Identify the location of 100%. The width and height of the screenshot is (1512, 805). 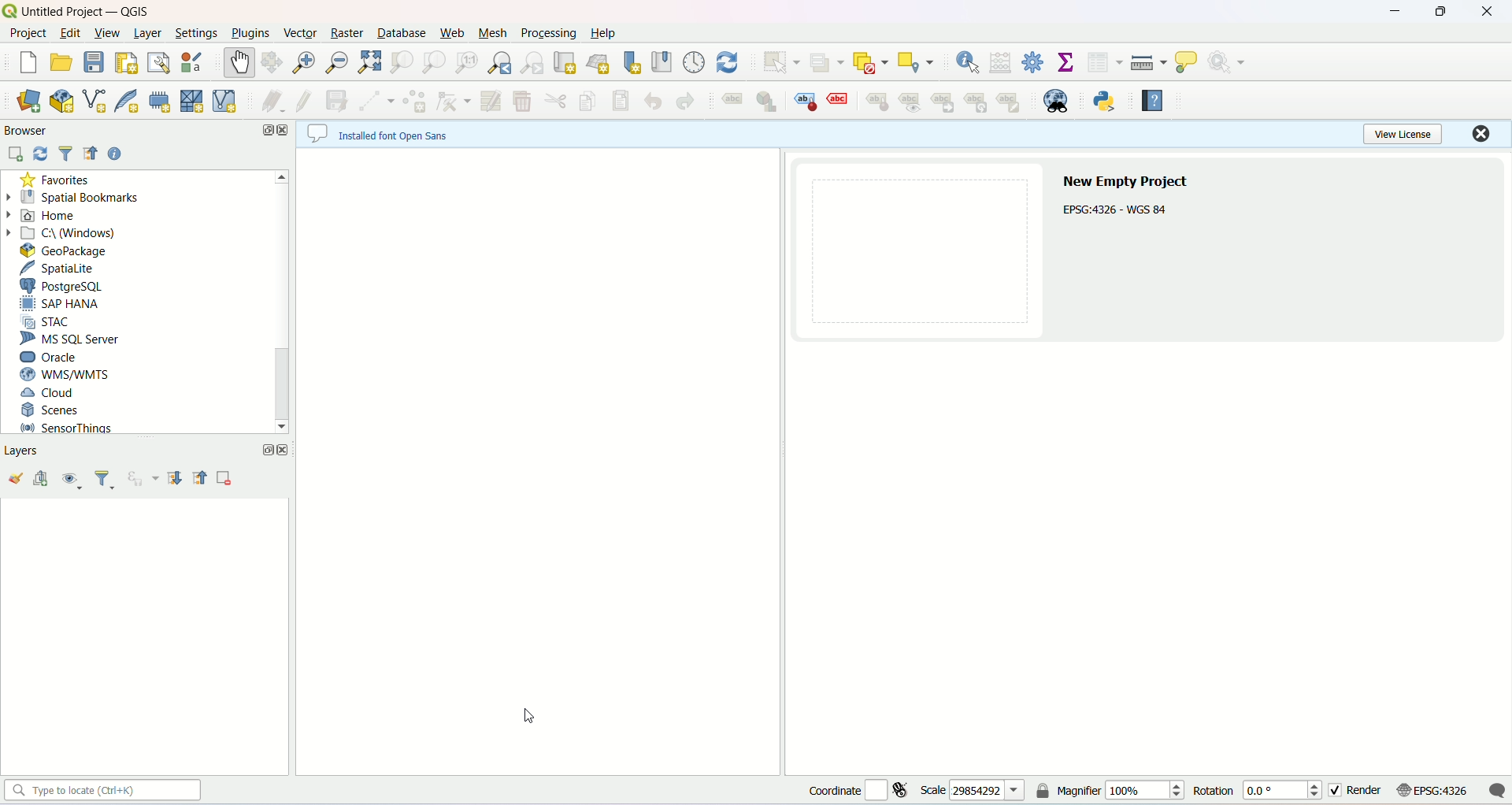
(1147, 790).